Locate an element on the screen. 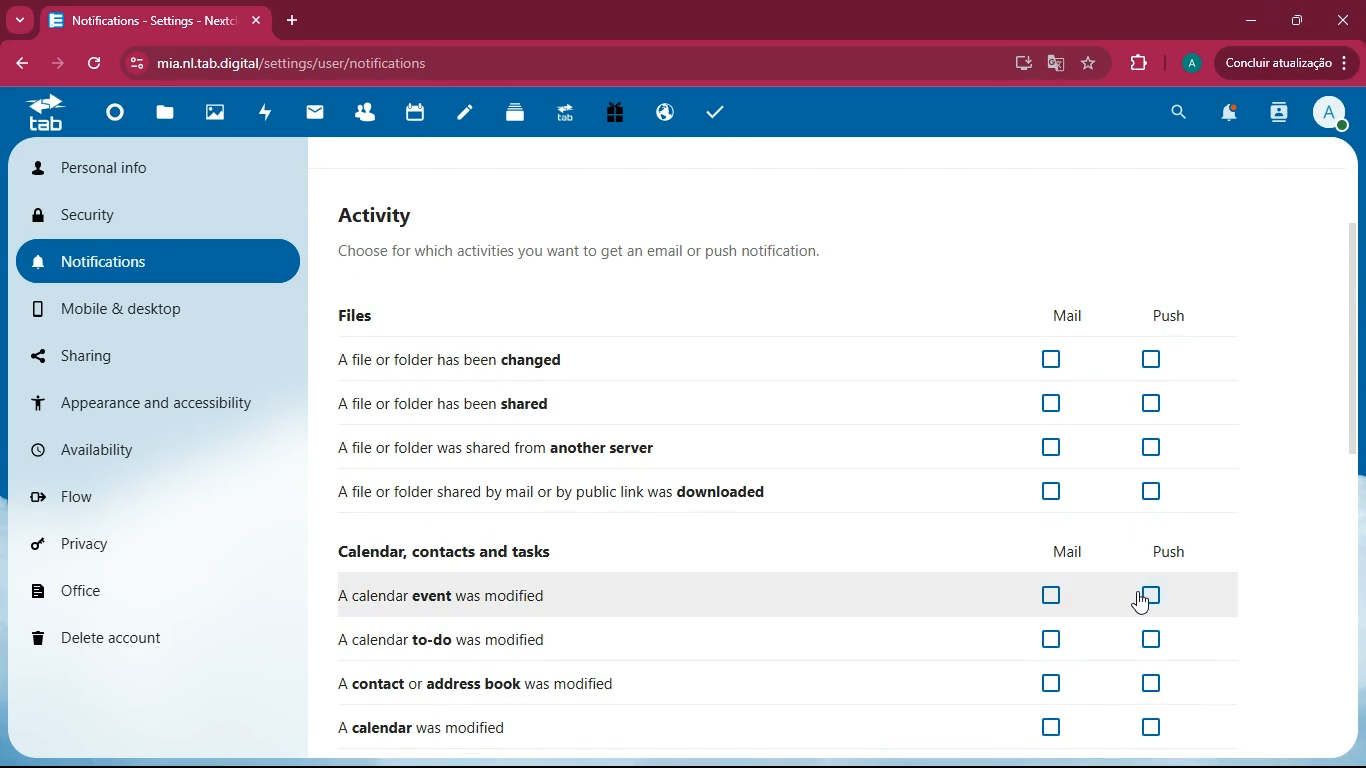 This screenshot has height=768, width=1366. friends is located at coordinates (366, 109).